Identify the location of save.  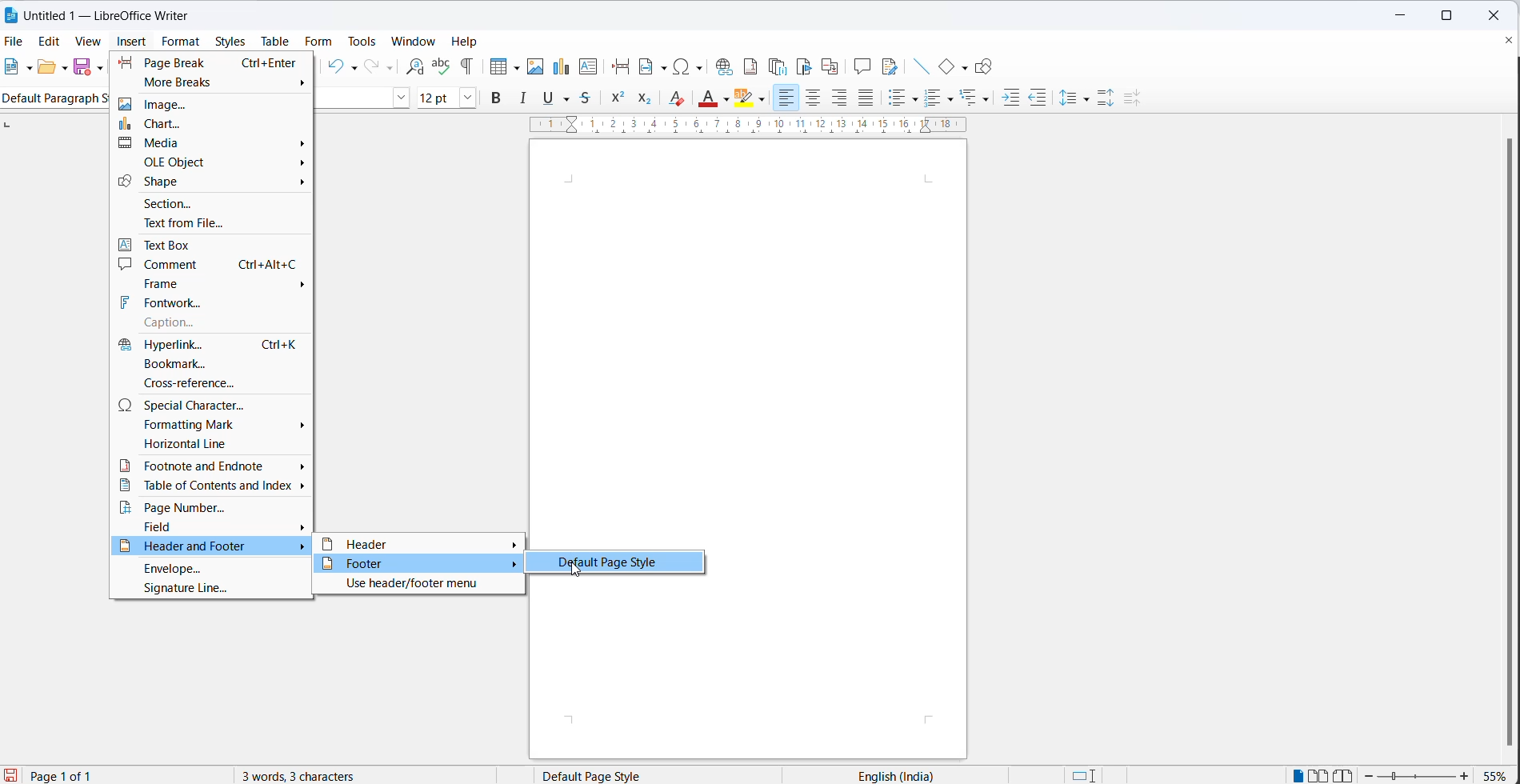
(10, 776).